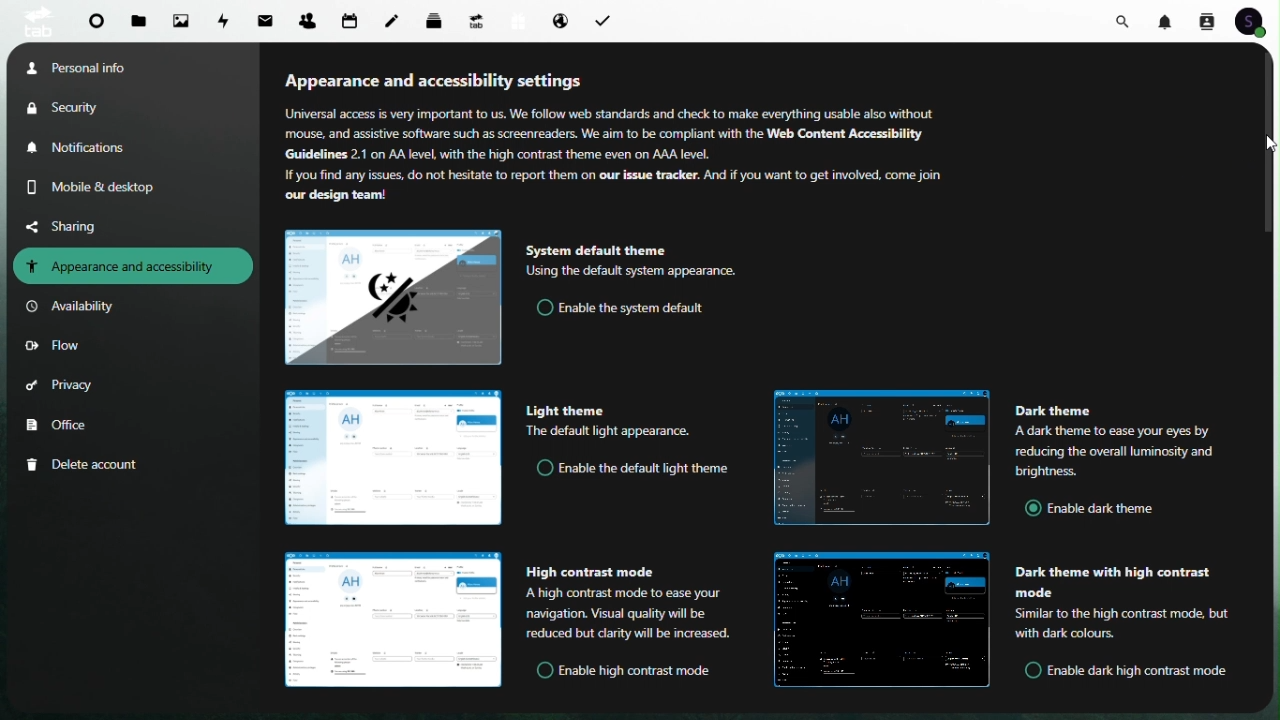  I want to click on personal info, so click(101, 66).